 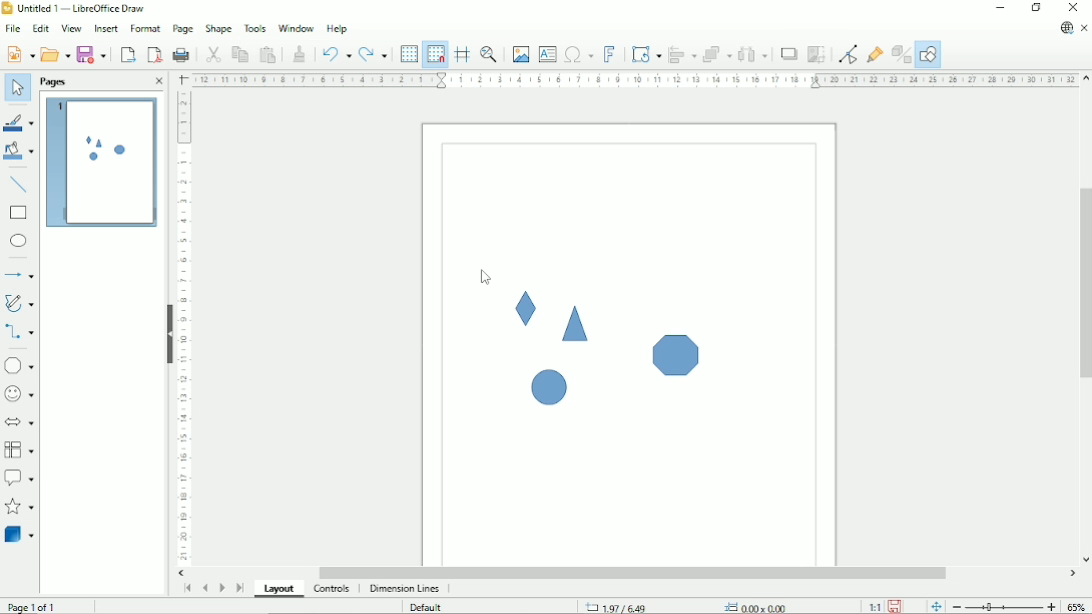 I want to click on Line color, so click(x=21, y=123).